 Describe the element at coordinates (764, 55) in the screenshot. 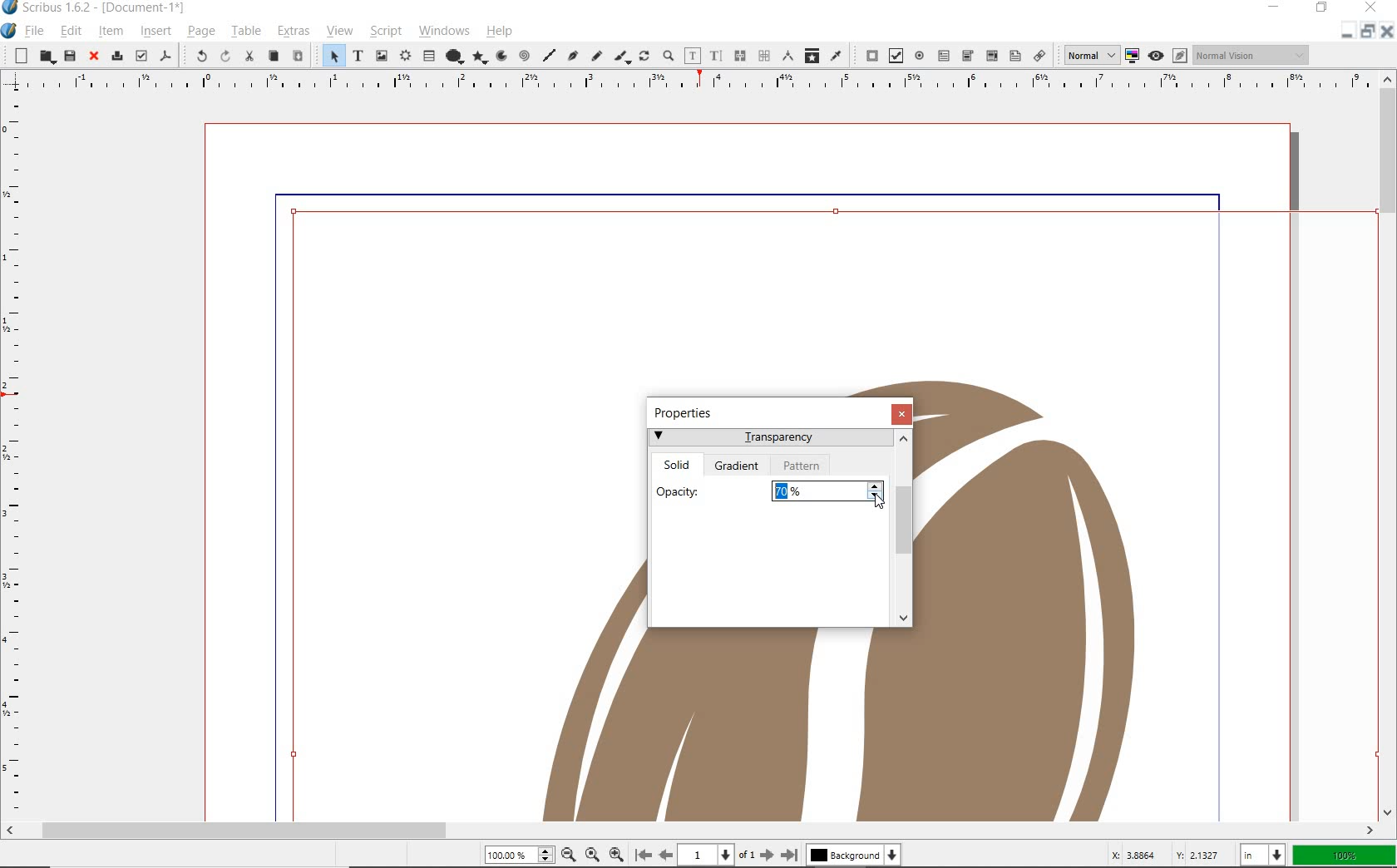

I see `unlink text frames` at that location.